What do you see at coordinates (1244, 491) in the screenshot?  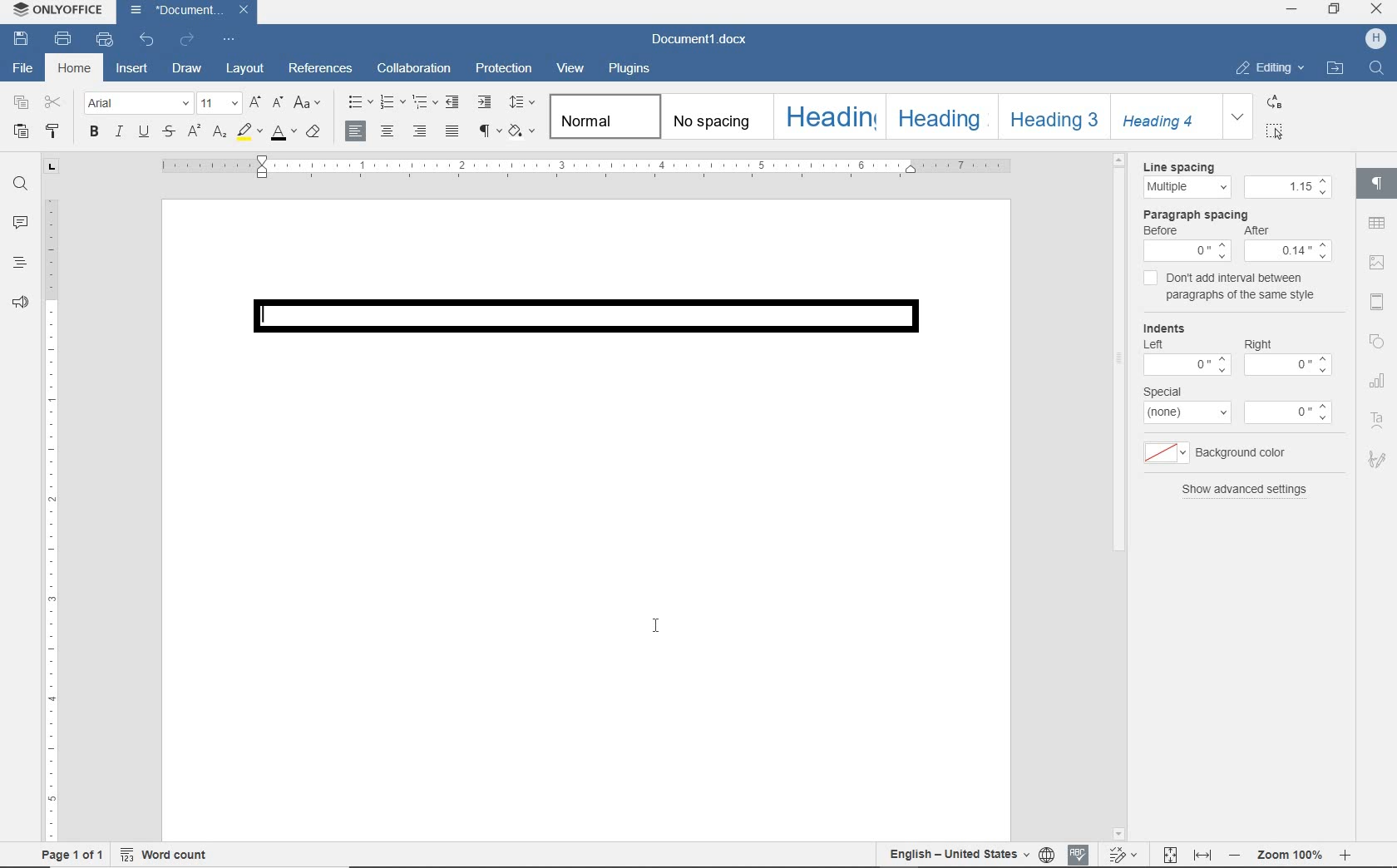 I see `show advanced settings` at bounding box center [1244, 491].